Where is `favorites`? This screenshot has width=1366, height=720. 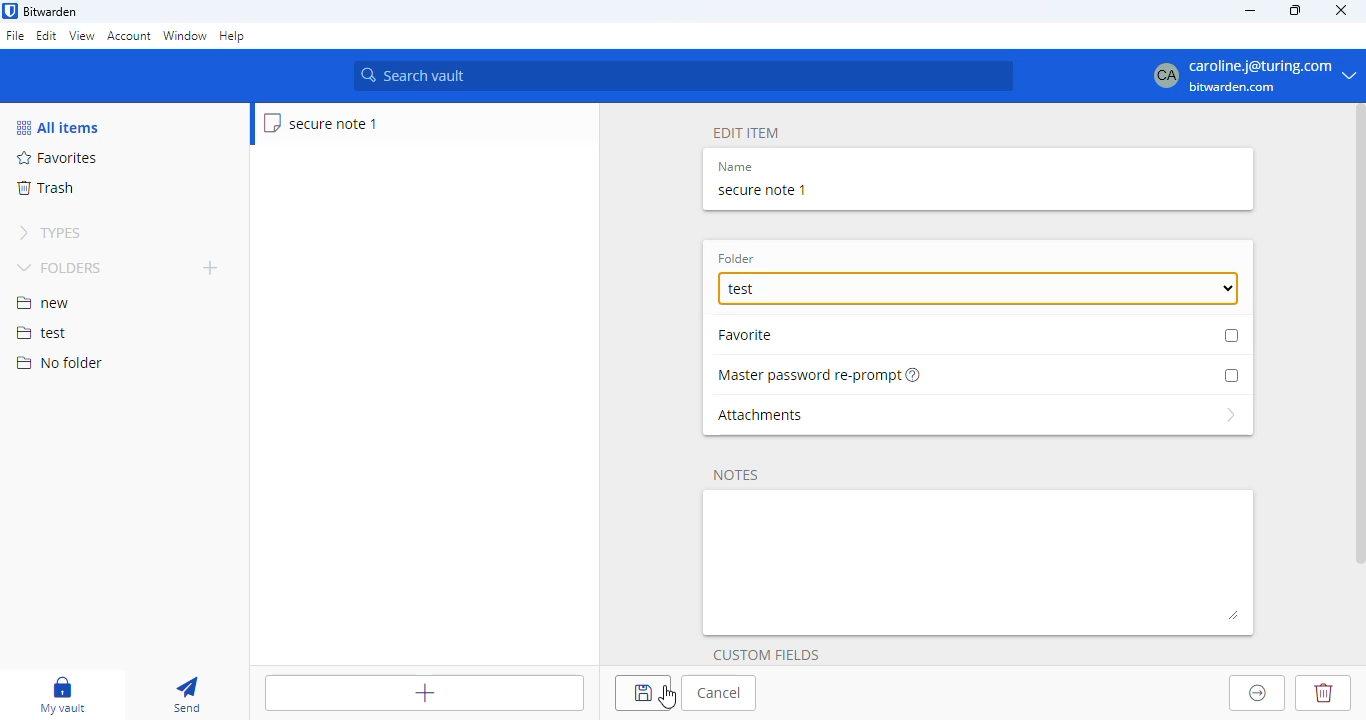
favorites is located at coordinates (58, 158).